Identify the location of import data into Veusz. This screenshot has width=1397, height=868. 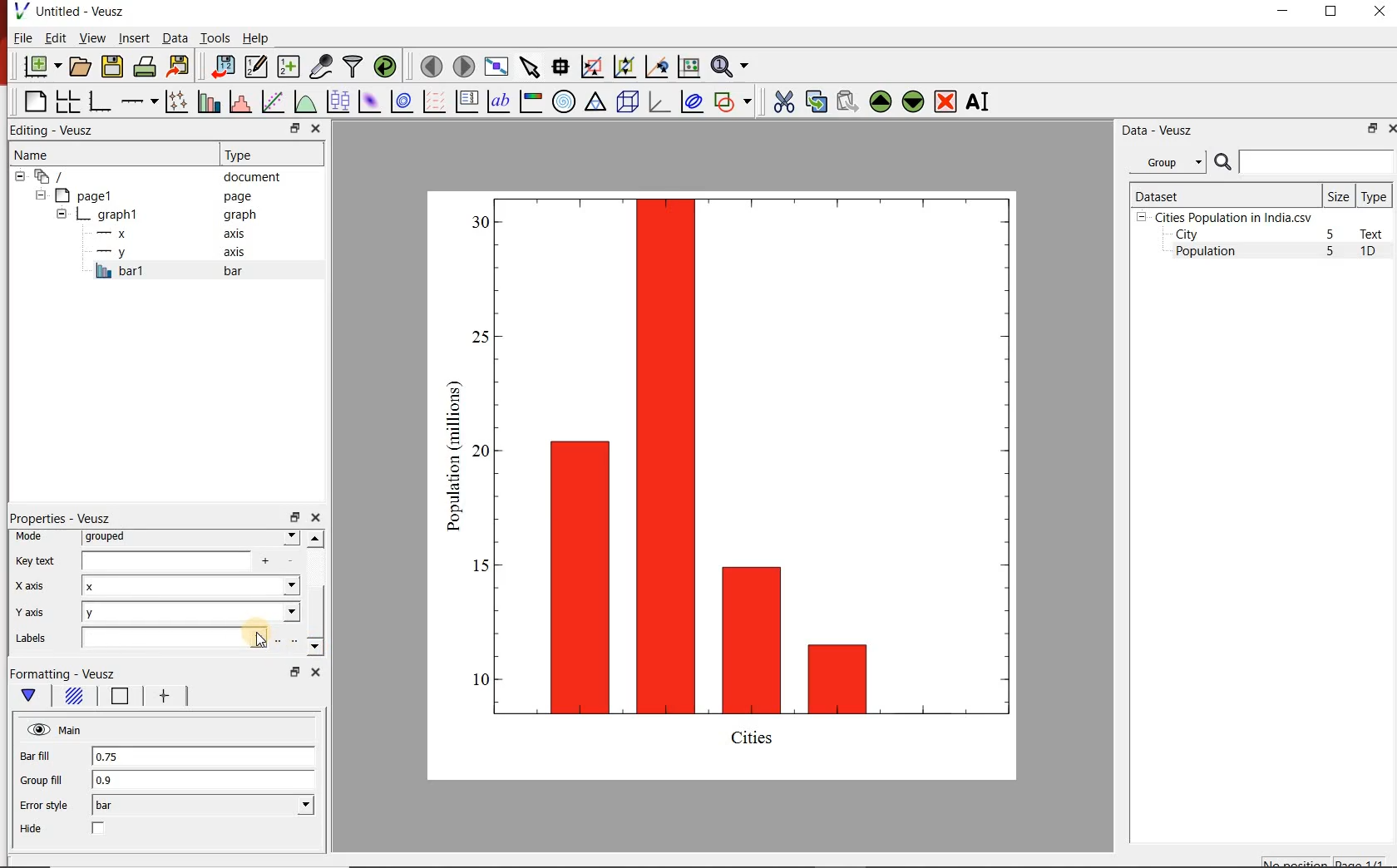
(222, 66).